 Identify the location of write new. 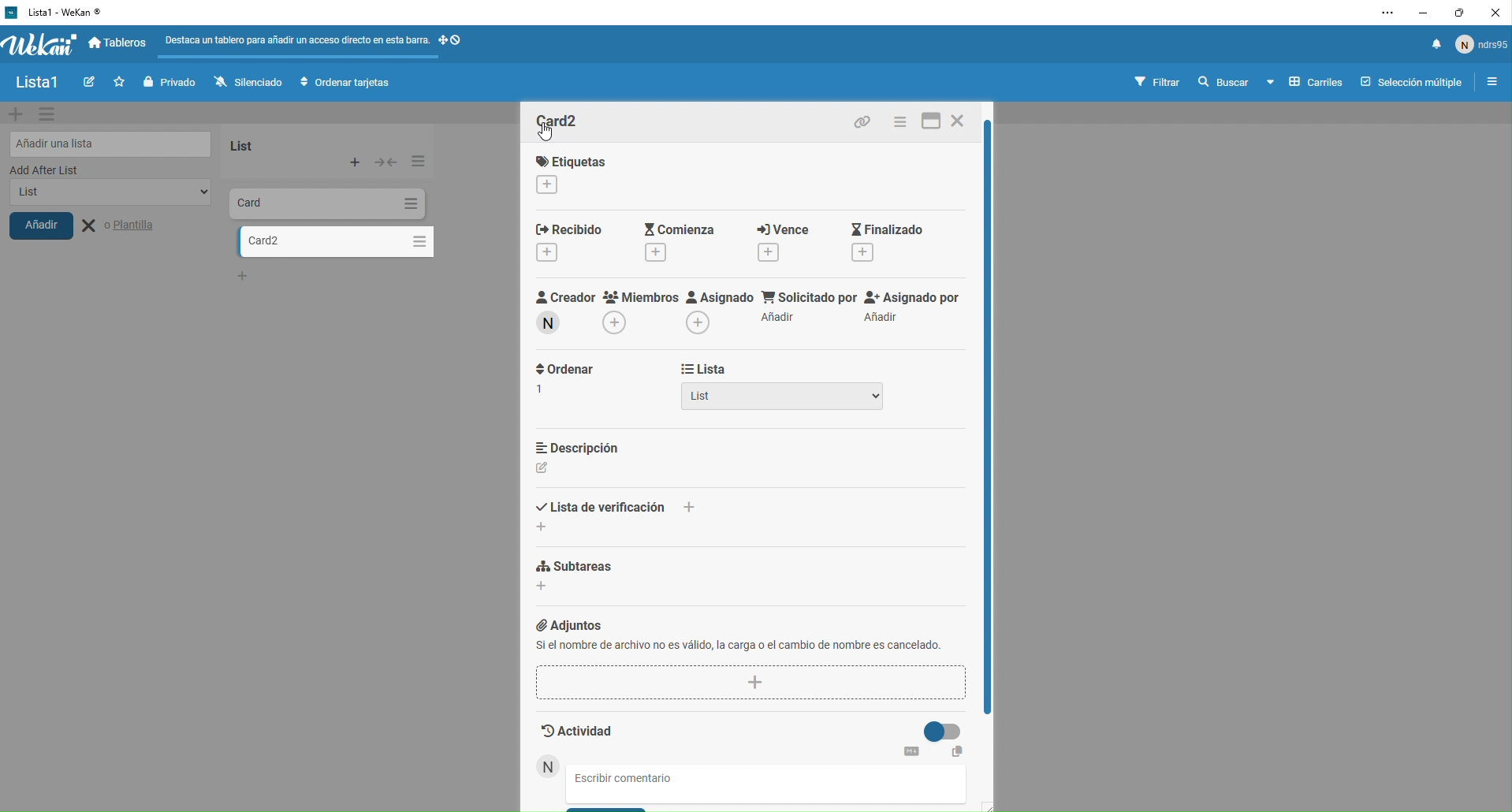
(87, 84).